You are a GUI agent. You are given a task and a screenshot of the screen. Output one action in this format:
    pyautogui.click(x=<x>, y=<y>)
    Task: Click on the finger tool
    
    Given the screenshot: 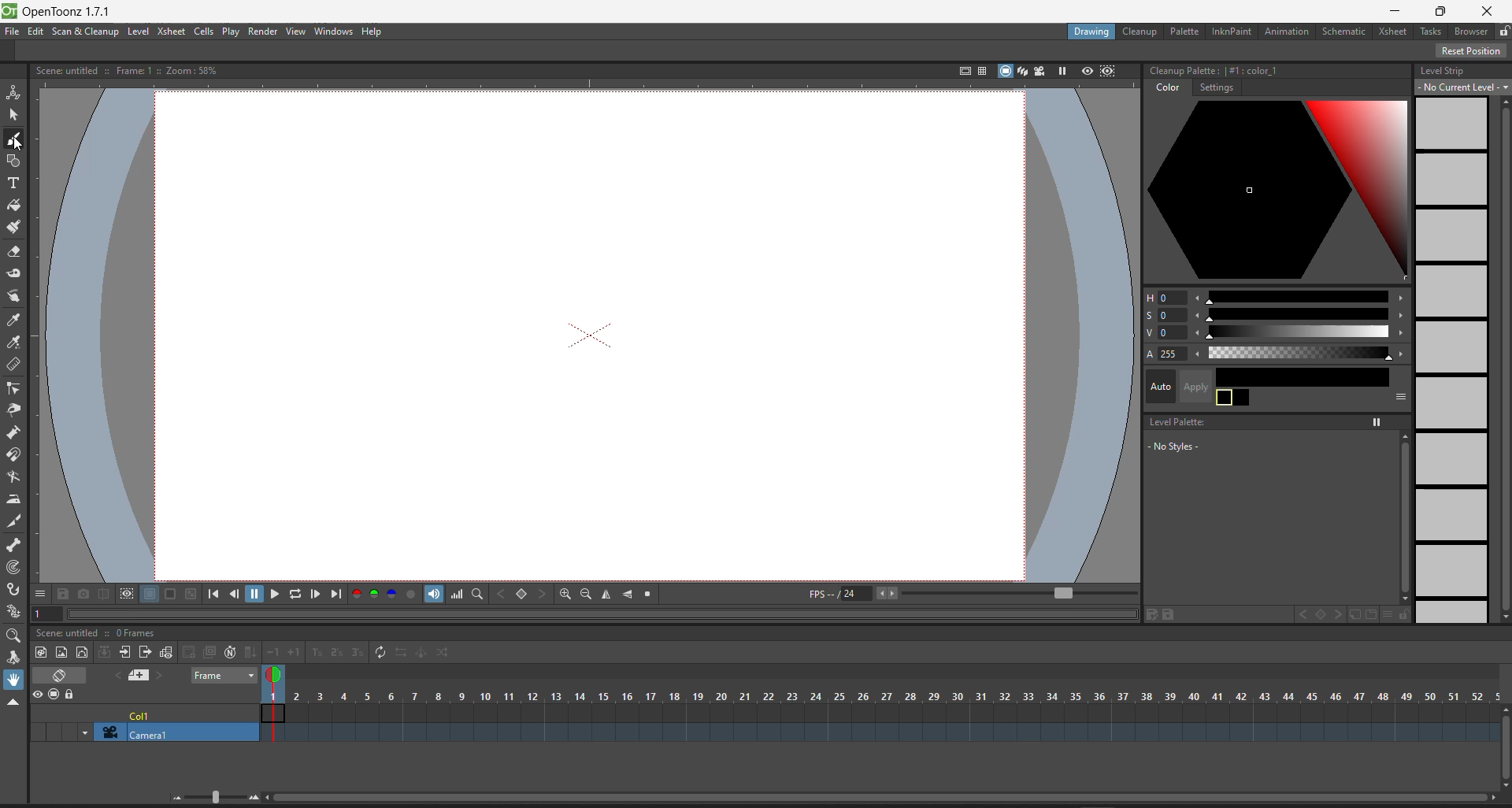 What is the action you would take?
    pyautogui.click(x=15, y=297)
    